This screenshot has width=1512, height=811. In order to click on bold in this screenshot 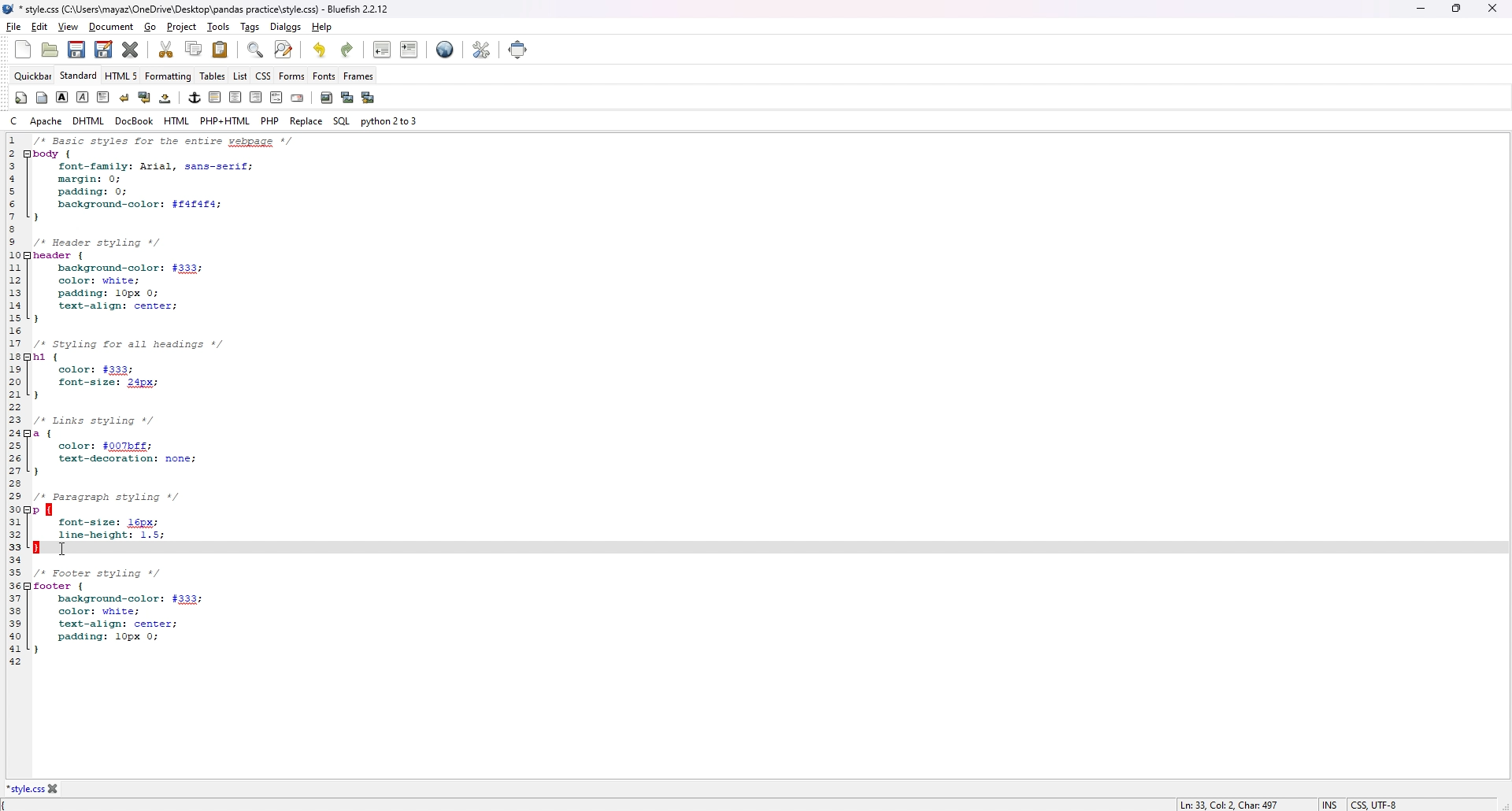, I will do `click(63, 97)`.